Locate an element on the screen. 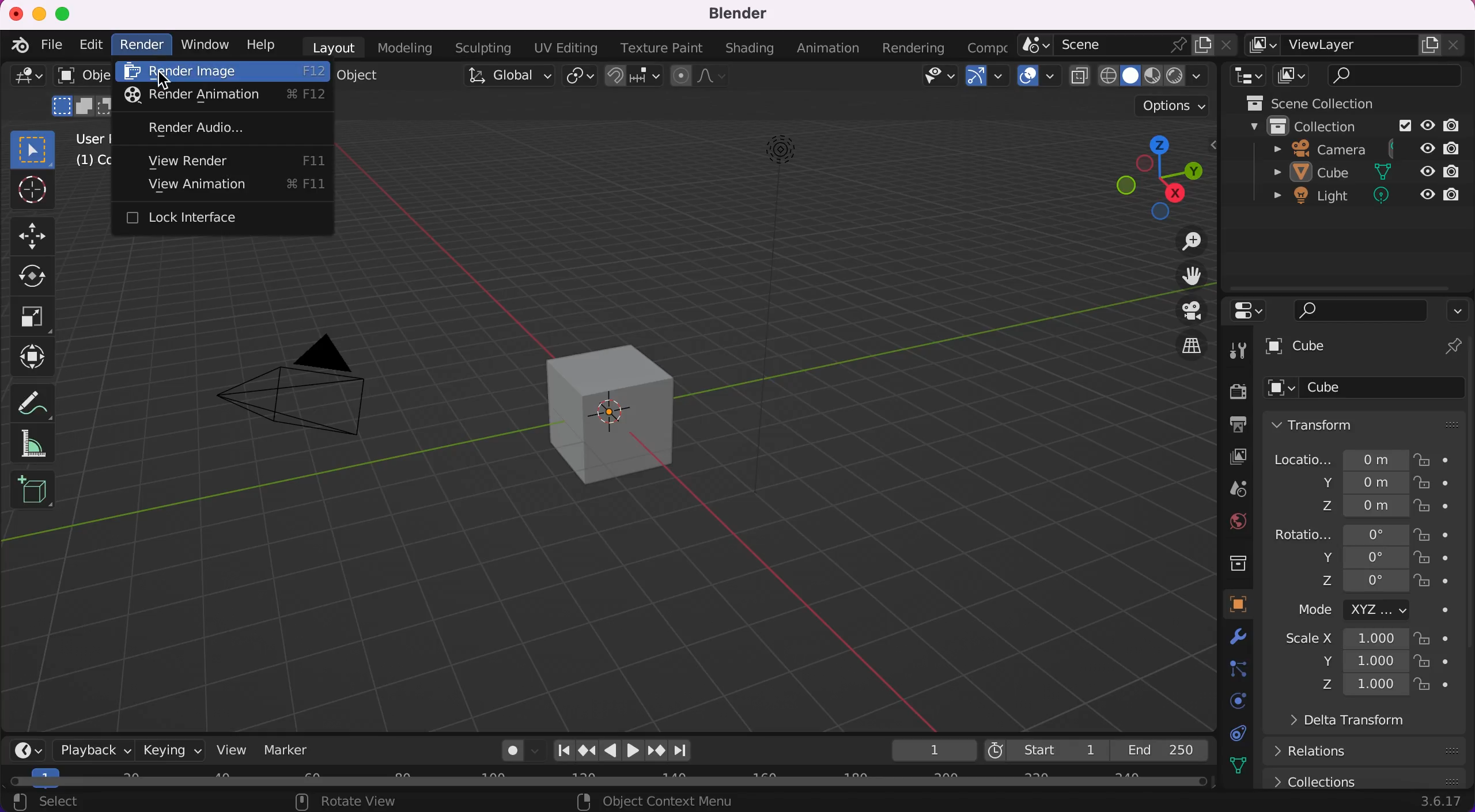 Image resolution: width=1475 pixels, height=812 pixels. annotate is located at coordinates (43, 397).